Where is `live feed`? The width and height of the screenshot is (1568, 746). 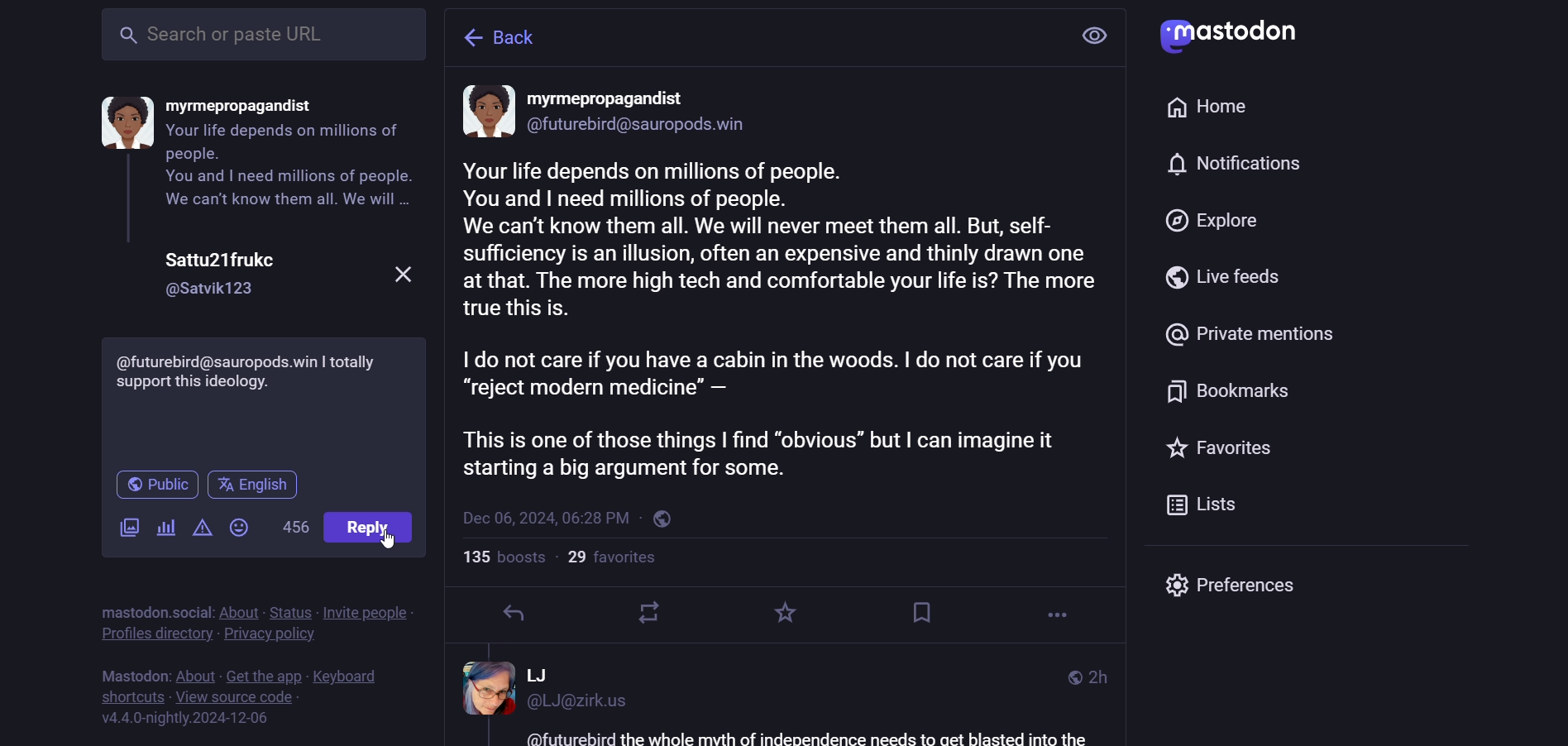
live feed is located at coordinates (1224, 276).